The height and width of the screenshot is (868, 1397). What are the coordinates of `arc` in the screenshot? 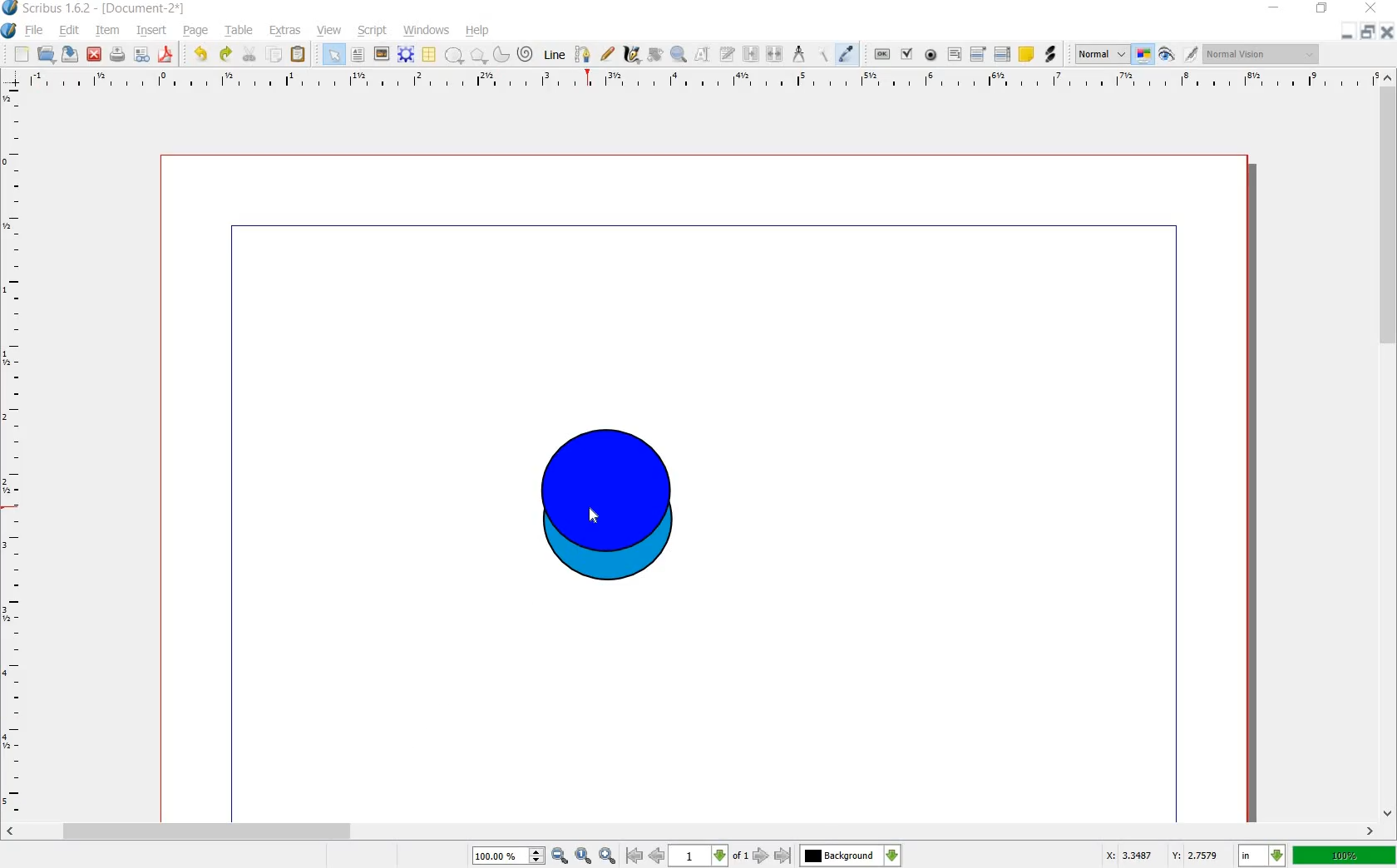 It's located at (501, 57).